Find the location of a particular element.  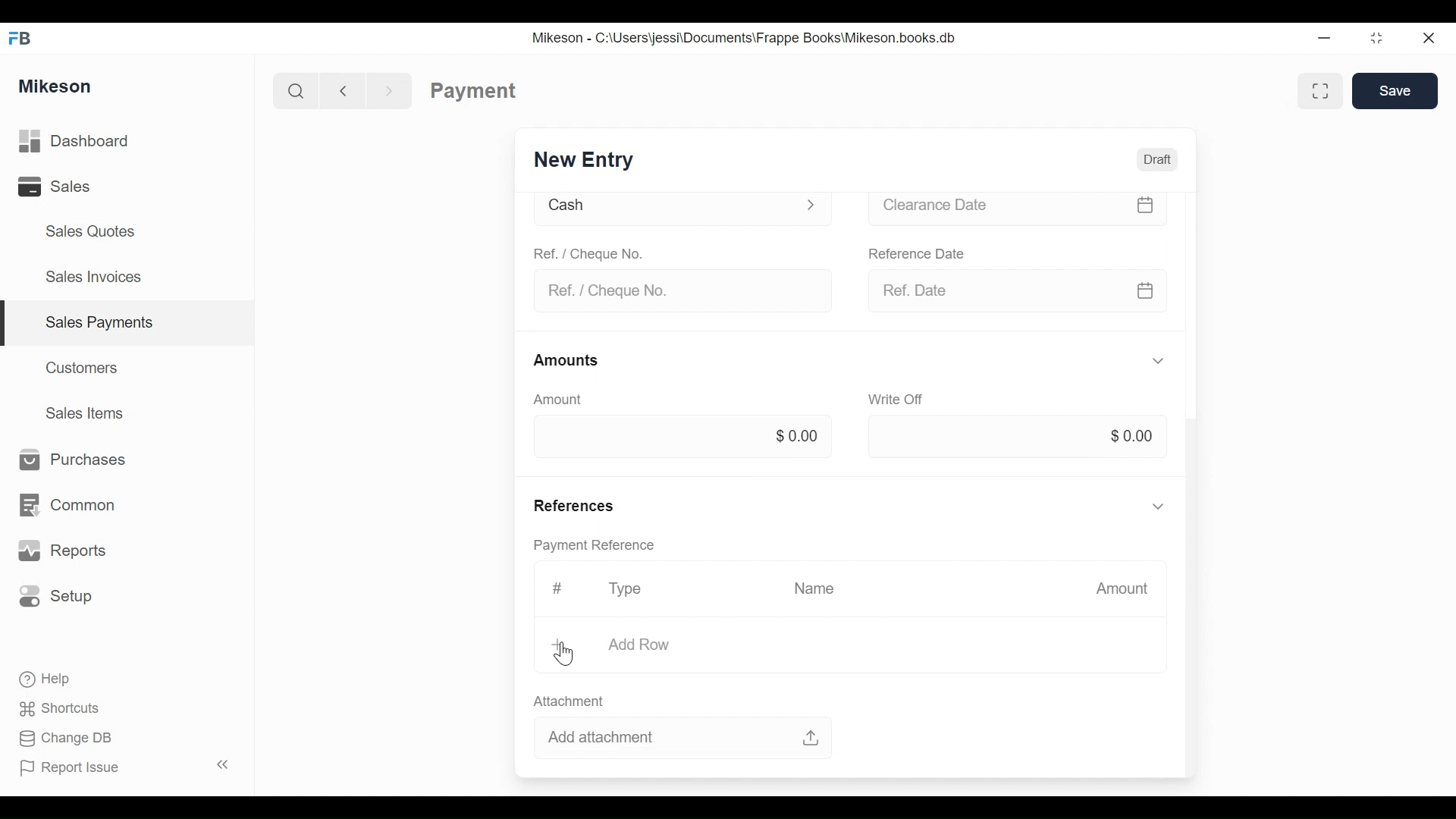

Add attachment is located at coordinates (687, 739).